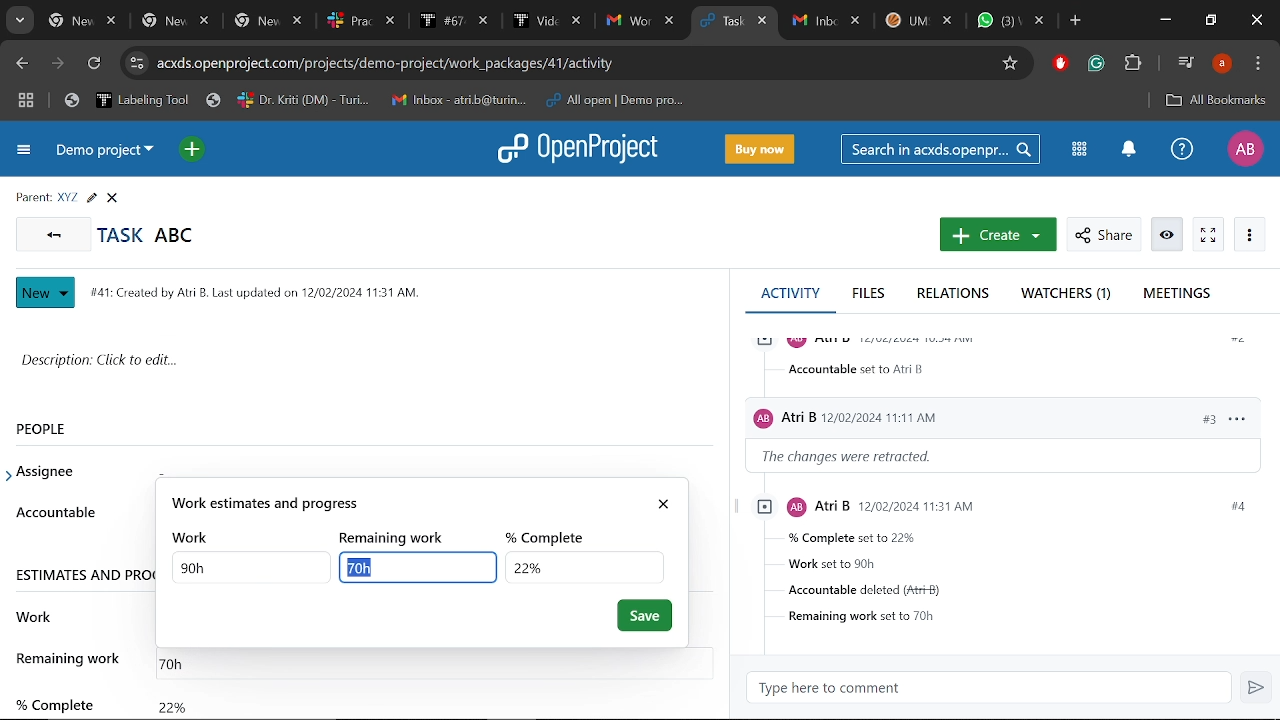 Image resolution: width=1280 pixels, height=720 pixels. I want to click on Open project logo, so click(584, 150).